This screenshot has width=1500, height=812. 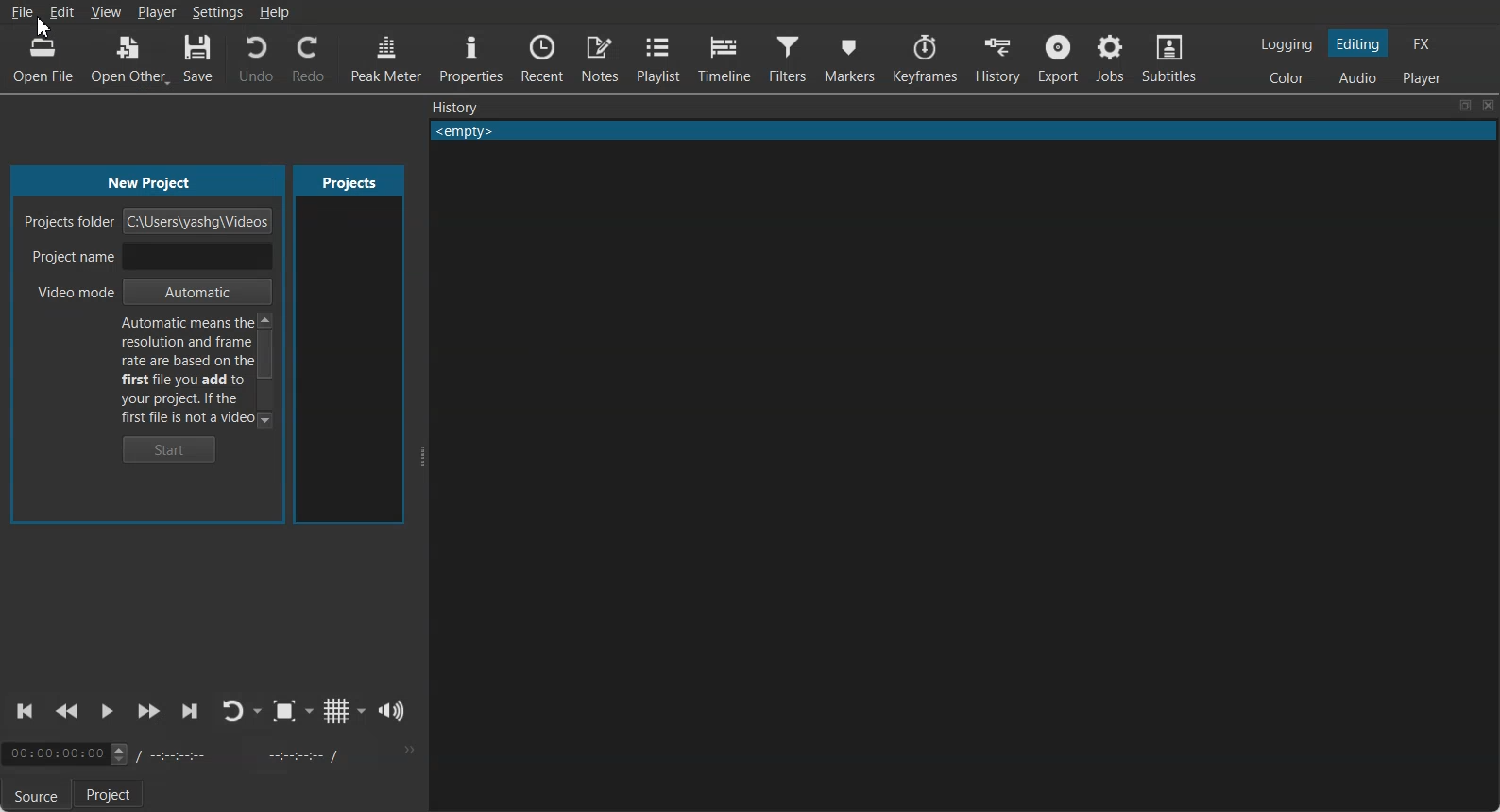 What do you see at coordinates (26, 711) in the screenshot?
I see `Skip to previous point` at bounding box center [26, 711].